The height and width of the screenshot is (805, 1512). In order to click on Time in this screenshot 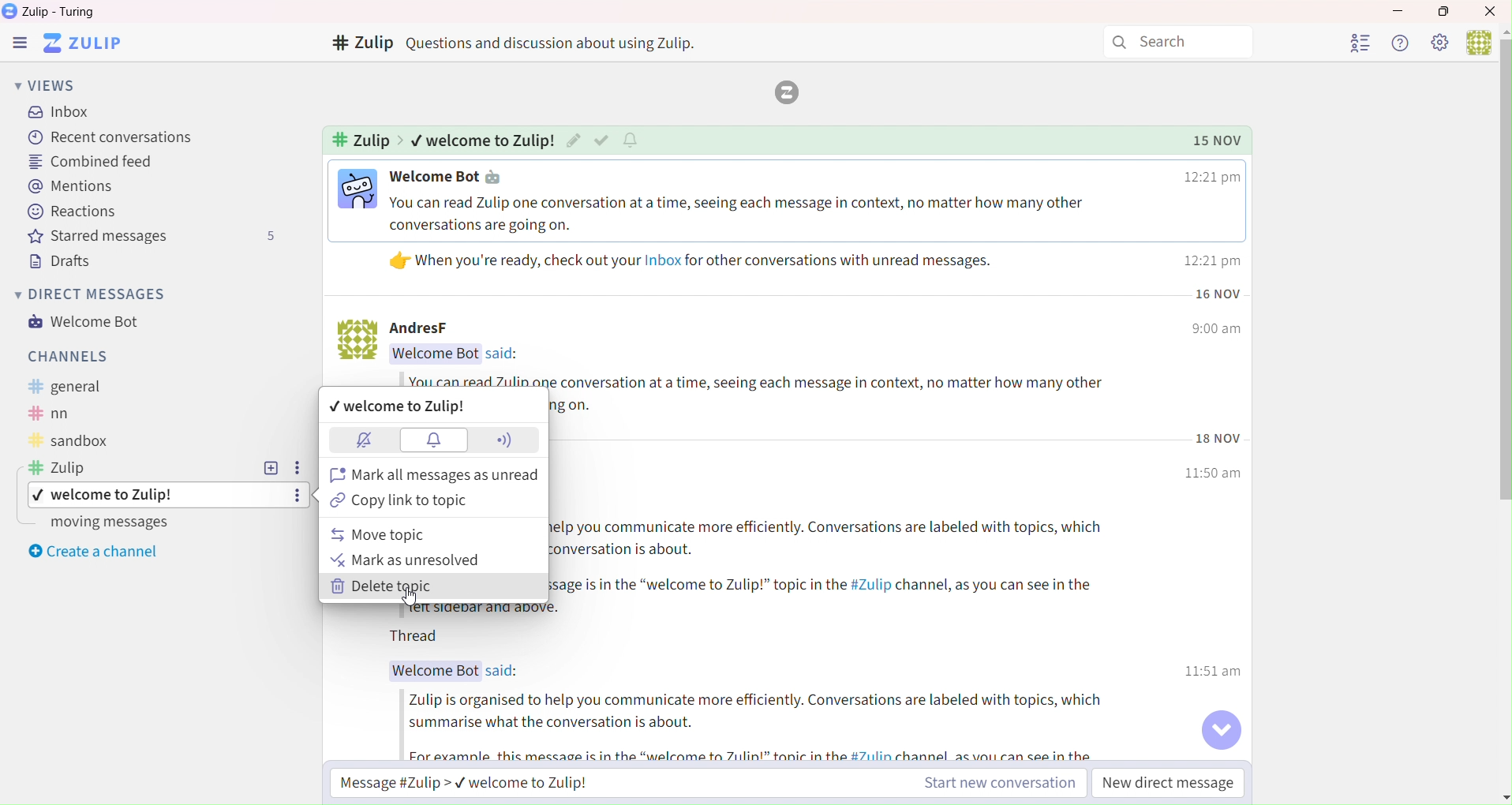, I will do `click(1220, 438)`.